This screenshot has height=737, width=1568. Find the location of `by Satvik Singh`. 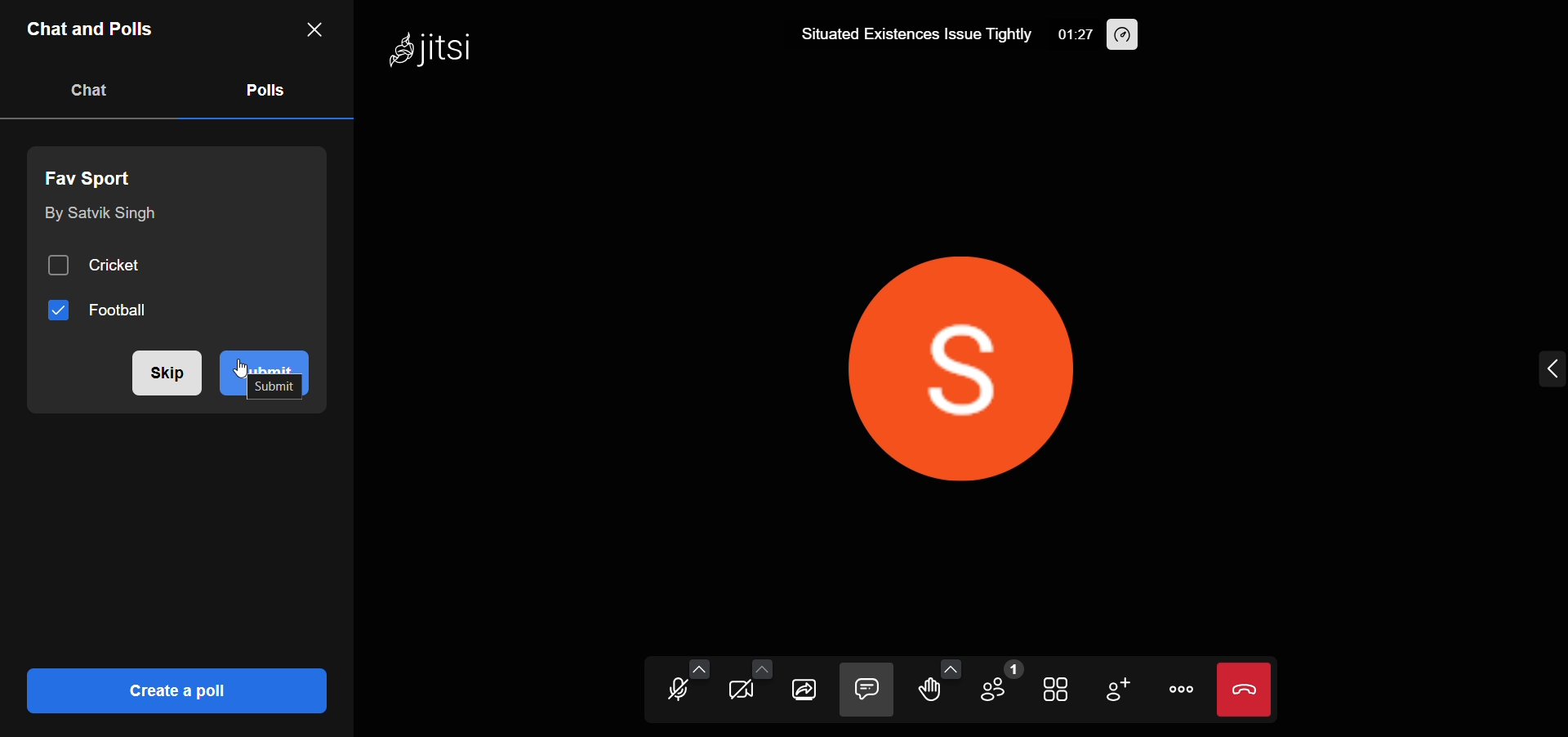

by Satvik Singh is located at coordinates (99, 217).